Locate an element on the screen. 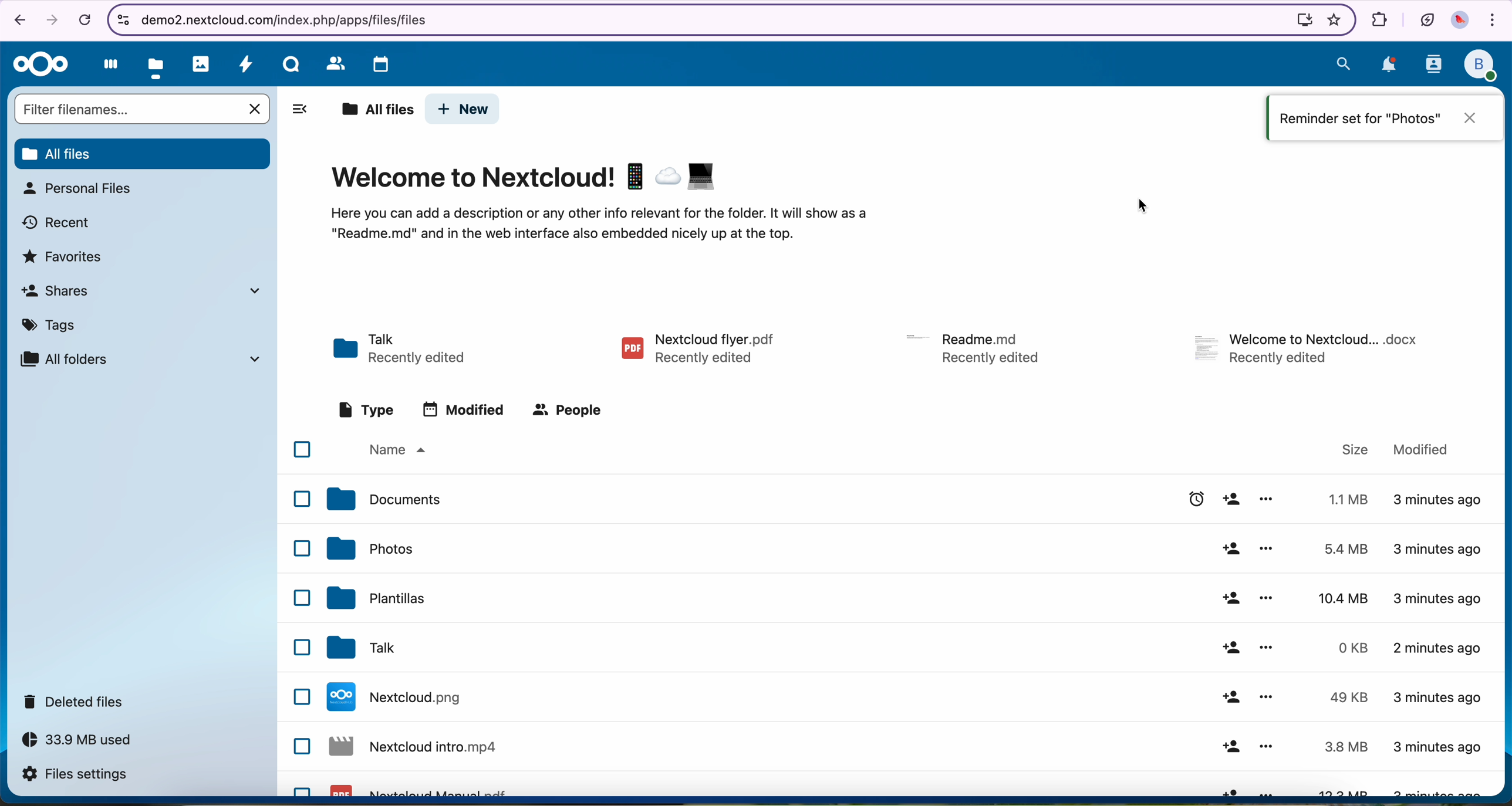  modified is located at coordinates (464, 409).